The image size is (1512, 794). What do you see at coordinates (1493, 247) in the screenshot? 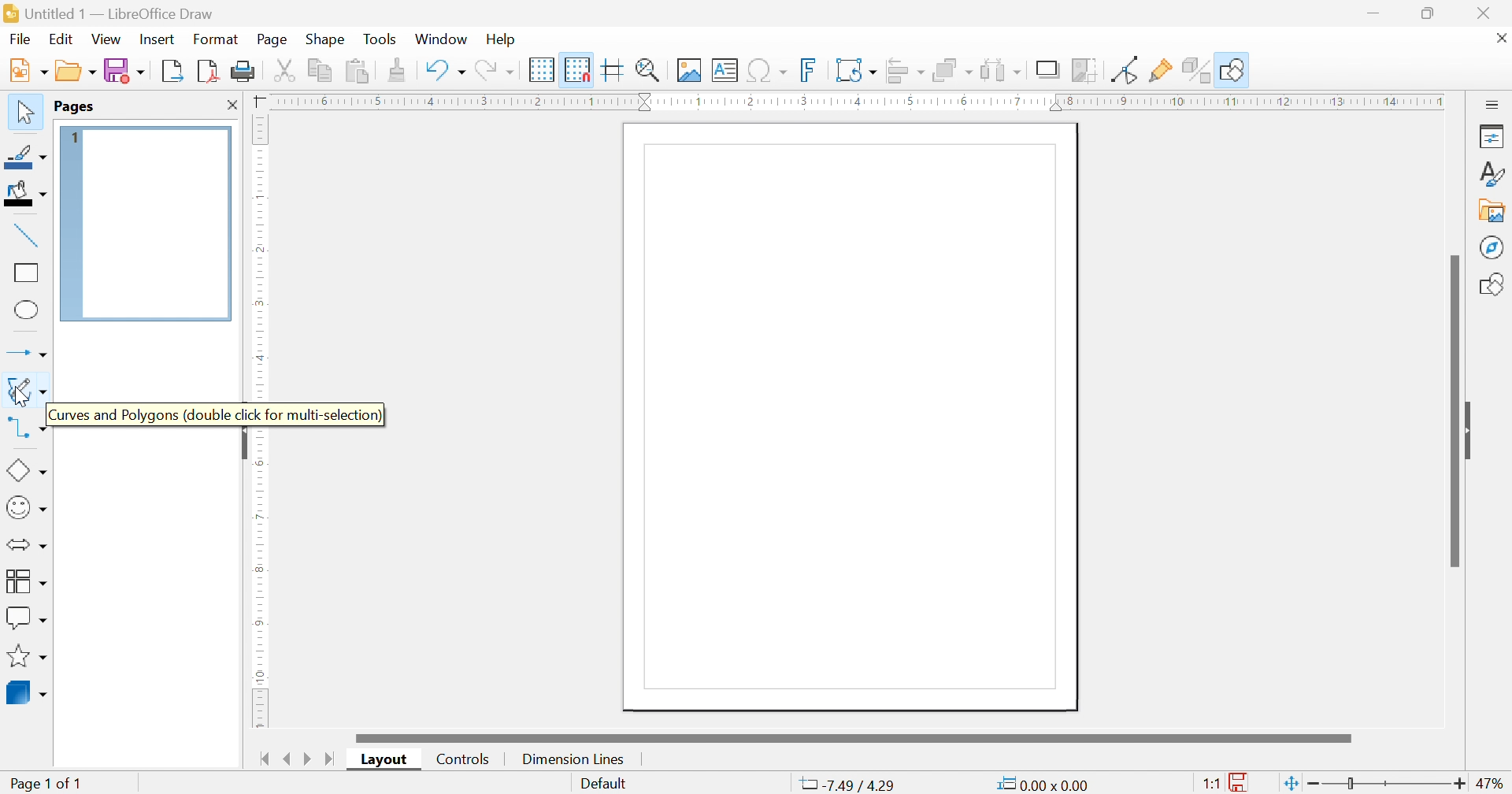
I see `navigator` at bounding box center [1493, 247].